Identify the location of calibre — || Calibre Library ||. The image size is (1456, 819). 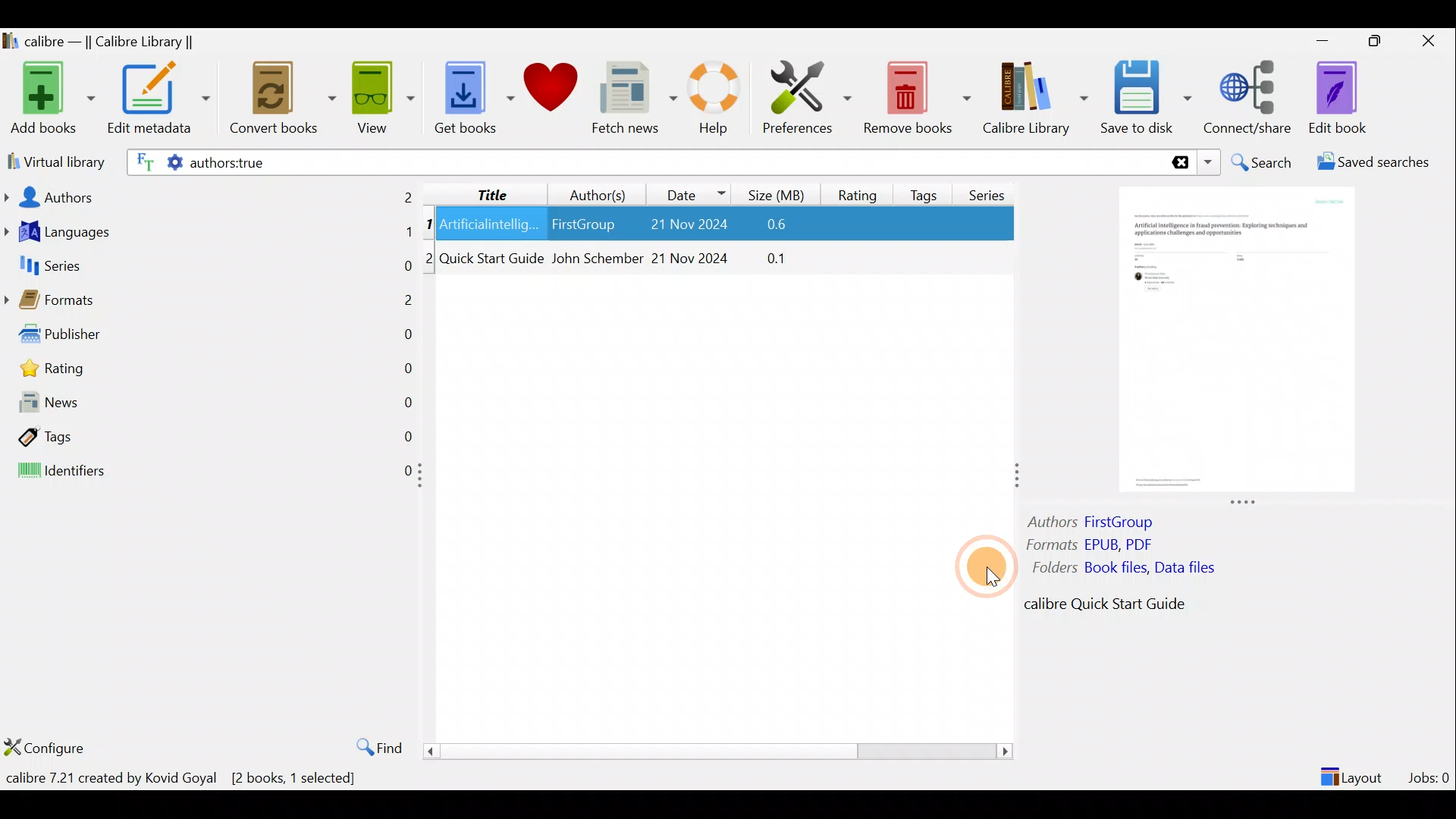
(101, 42).